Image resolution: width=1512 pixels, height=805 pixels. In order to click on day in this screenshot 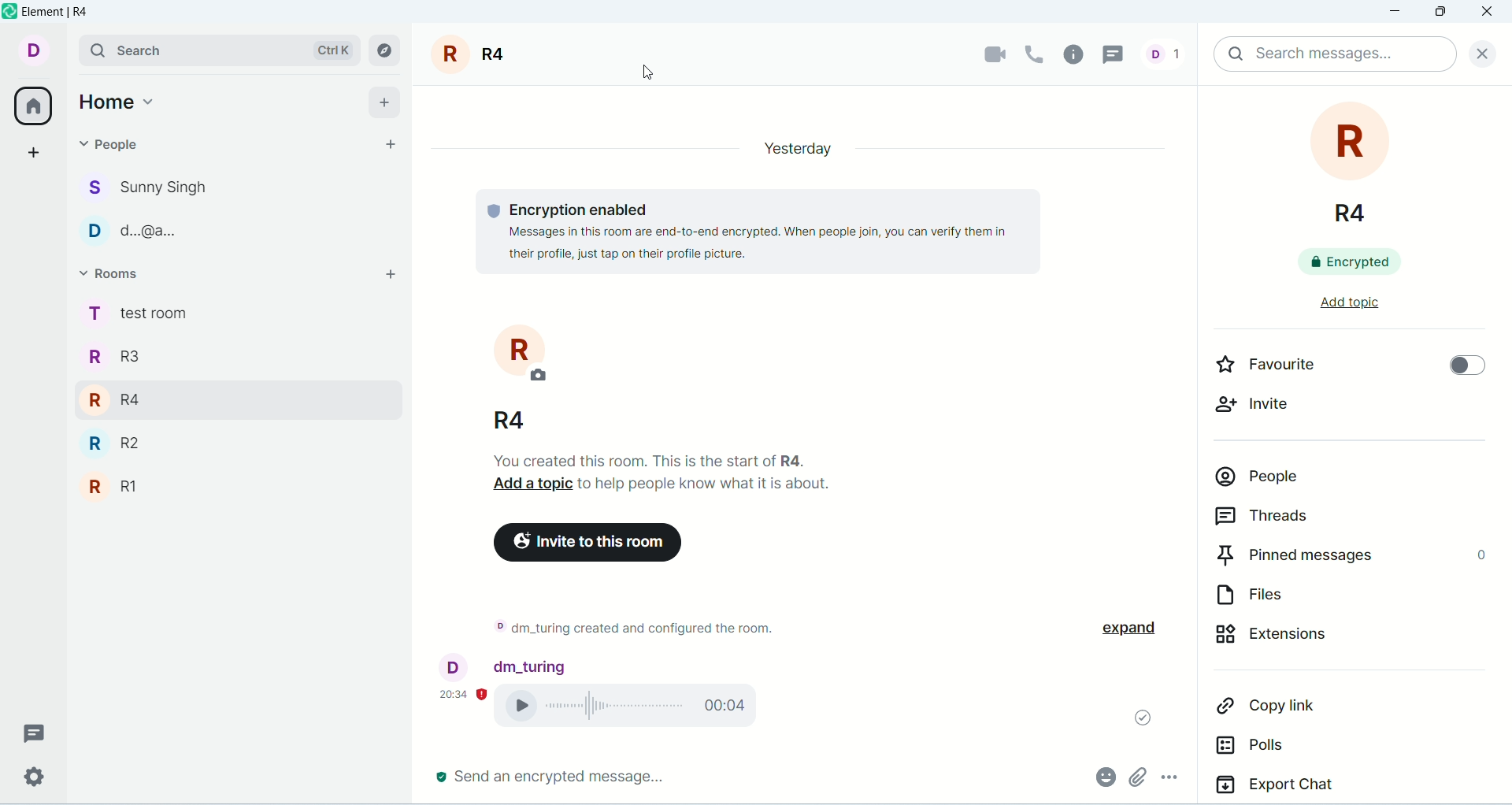, I will do `click(791, 147)`.